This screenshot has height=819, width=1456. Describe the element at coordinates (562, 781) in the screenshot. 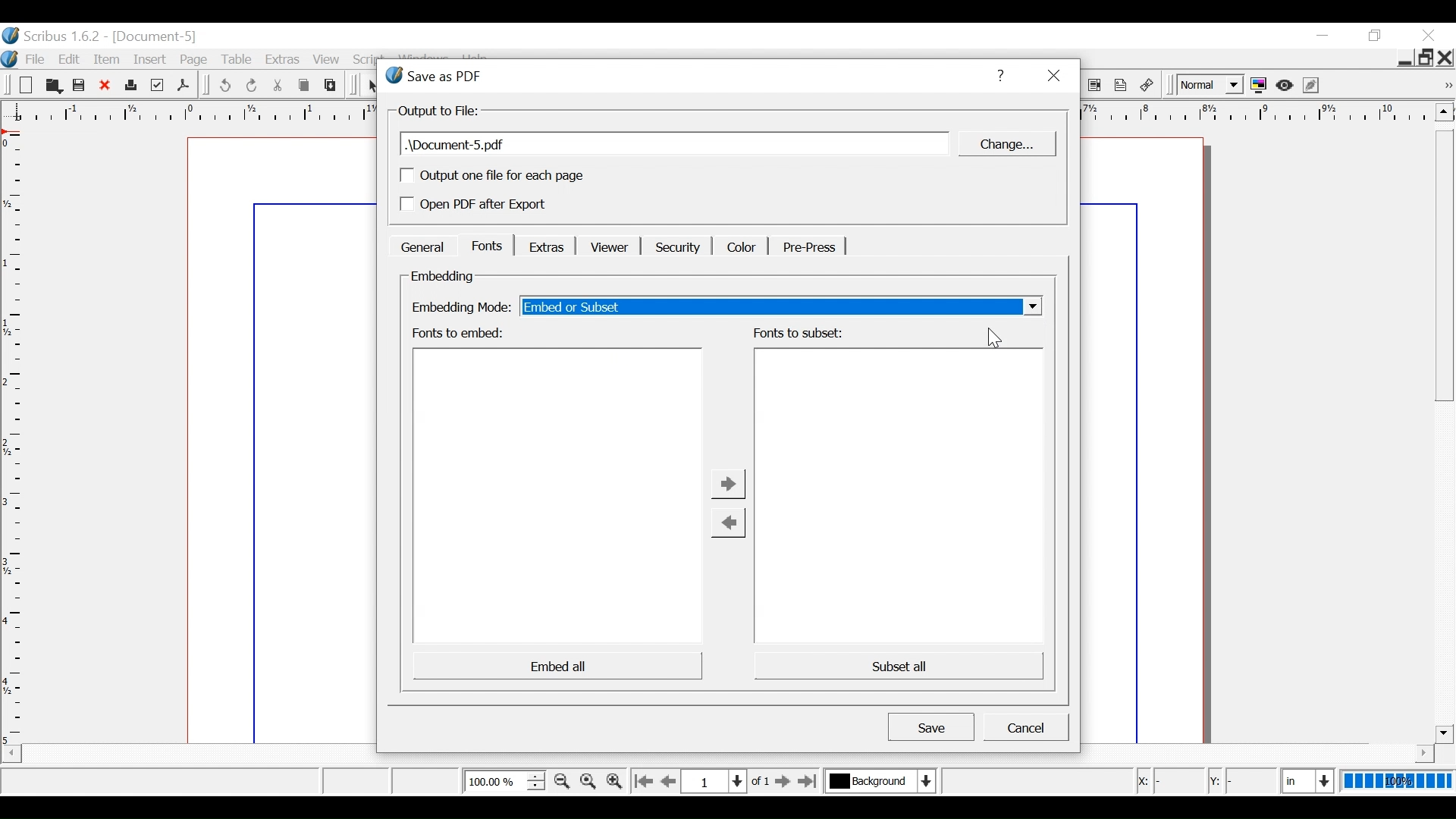

I see `Zoom out` at that location.